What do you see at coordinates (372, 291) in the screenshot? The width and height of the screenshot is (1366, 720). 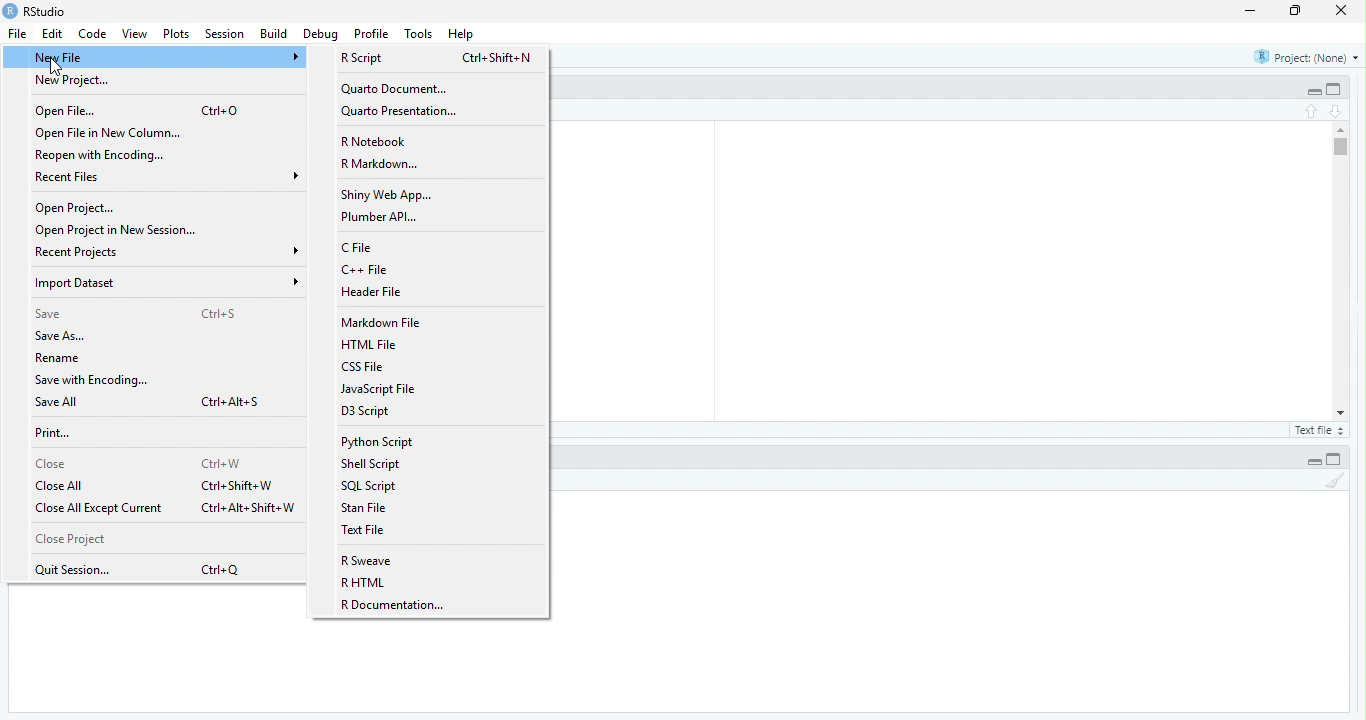 I see `Header File` at bounding box center [372, 291].